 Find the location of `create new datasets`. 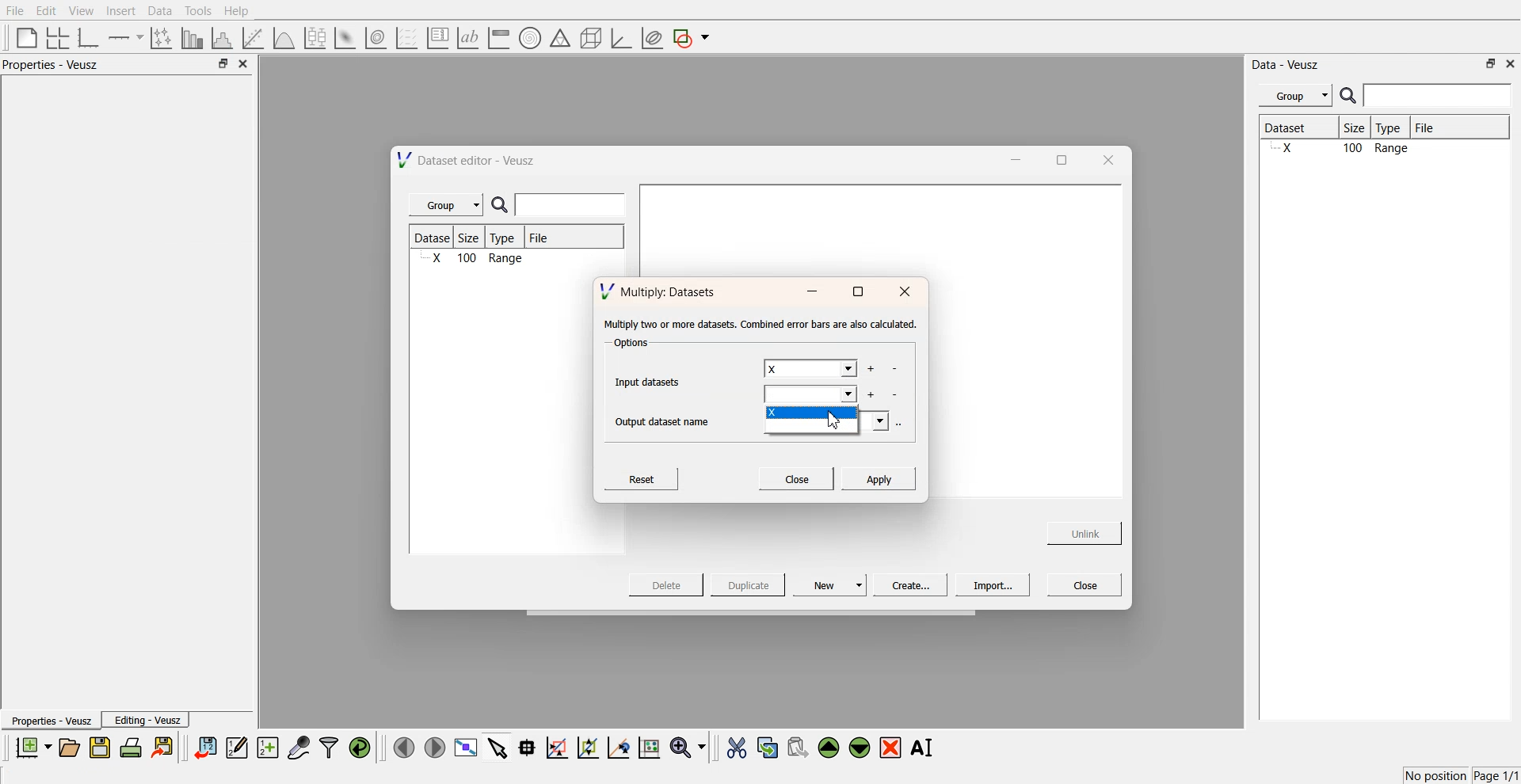

create new datasets is located at coordinates (268, 748).